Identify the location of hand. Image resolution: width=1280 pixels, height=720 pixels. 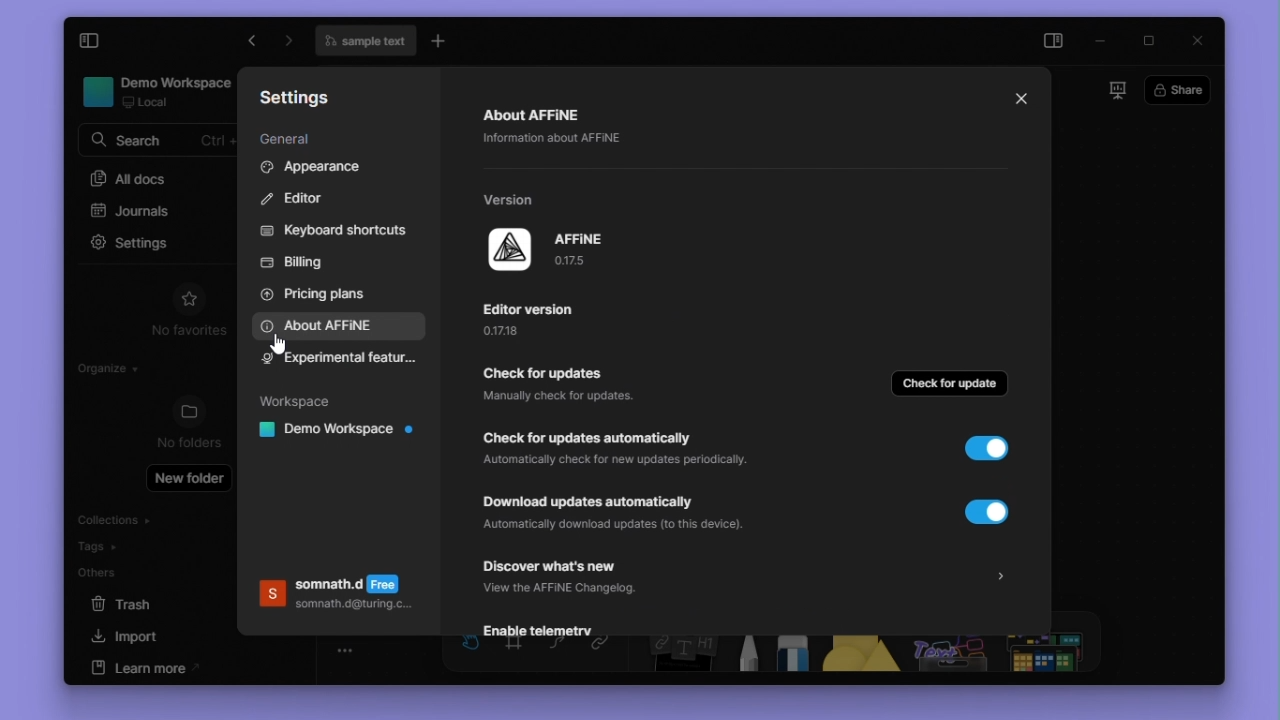
(467, 652).